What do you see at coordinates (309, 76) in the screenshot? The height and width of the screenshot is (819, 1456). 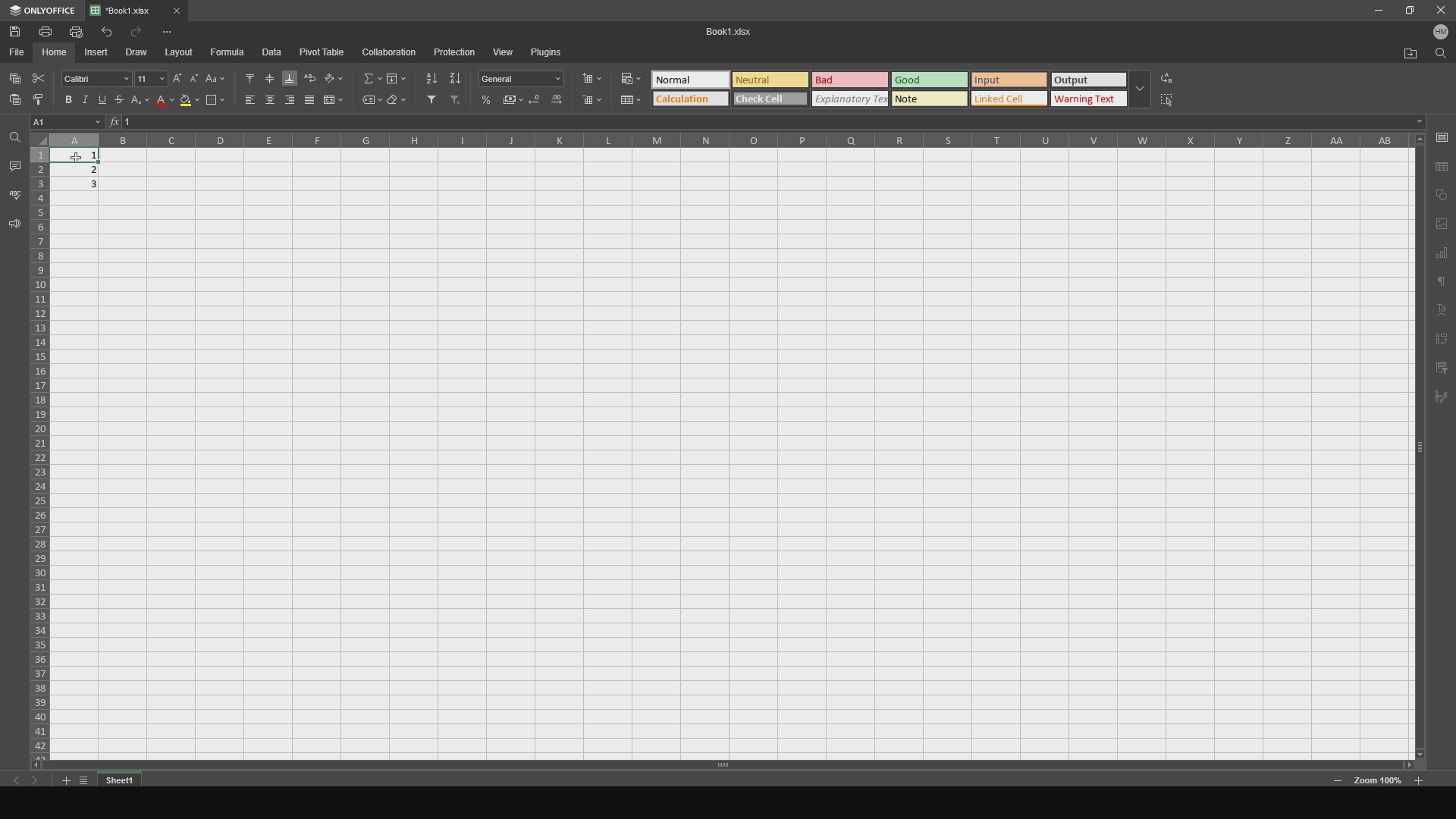 I see `wrap text` at bounding box center [309, 76].